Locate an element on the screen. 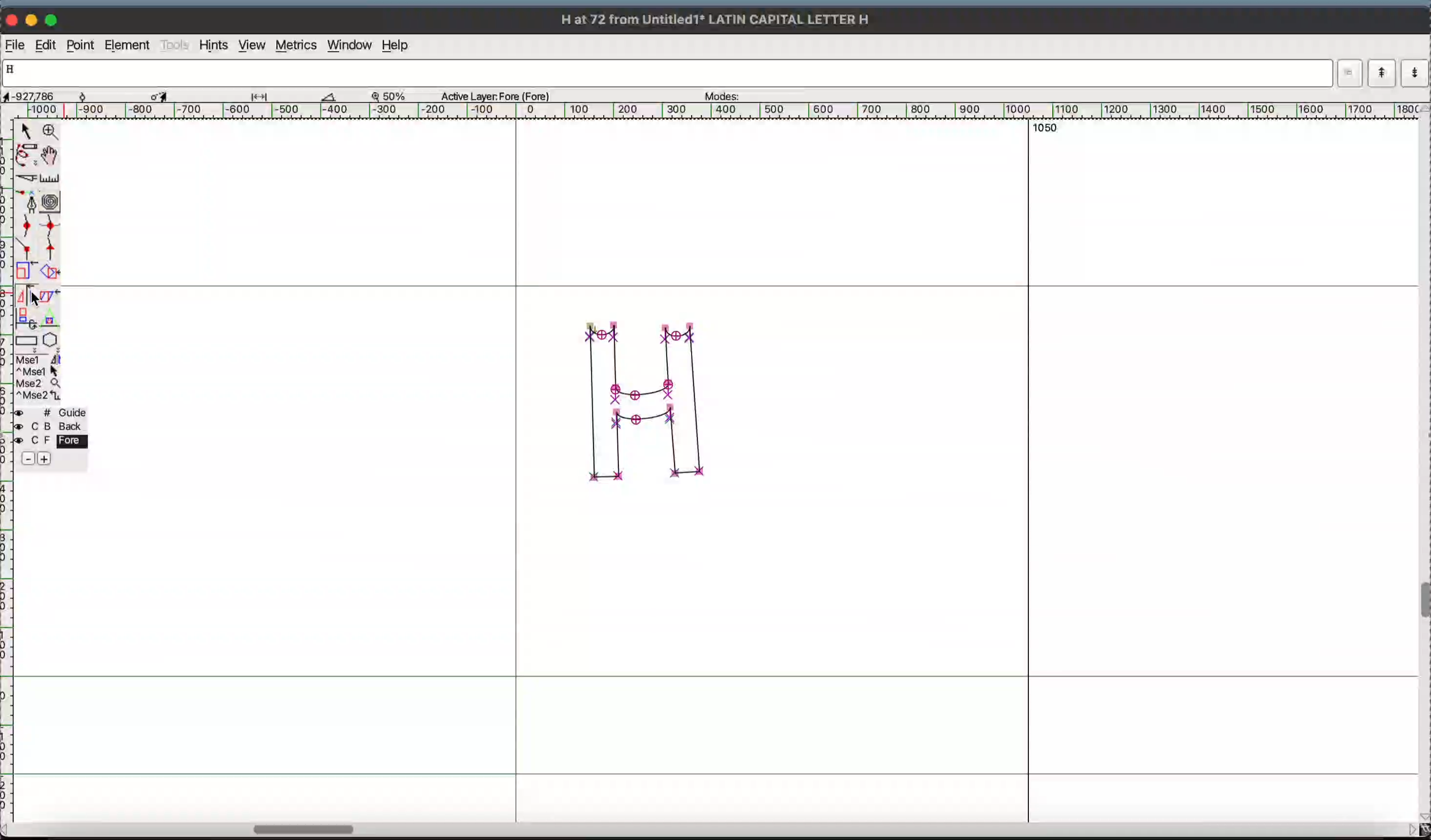 This screenshot has height=840, width=1431. next word is located at coordinates (1415, 73).